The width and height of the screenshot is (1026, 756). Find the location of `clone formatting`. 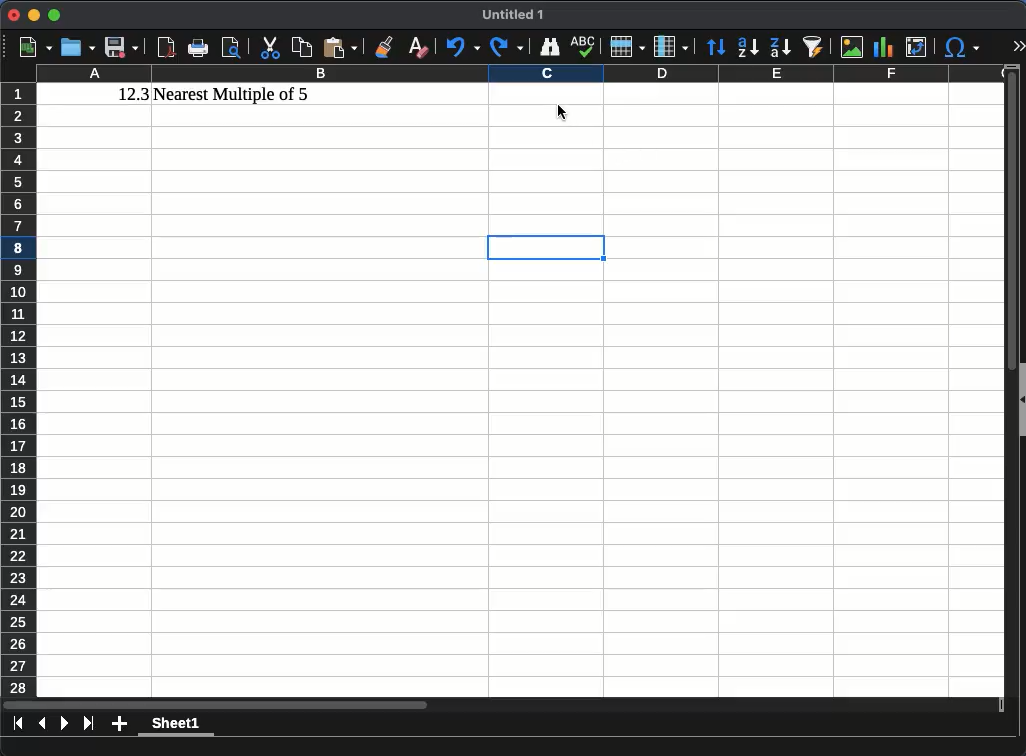

clone formatting is located at coordinates (383, 47).